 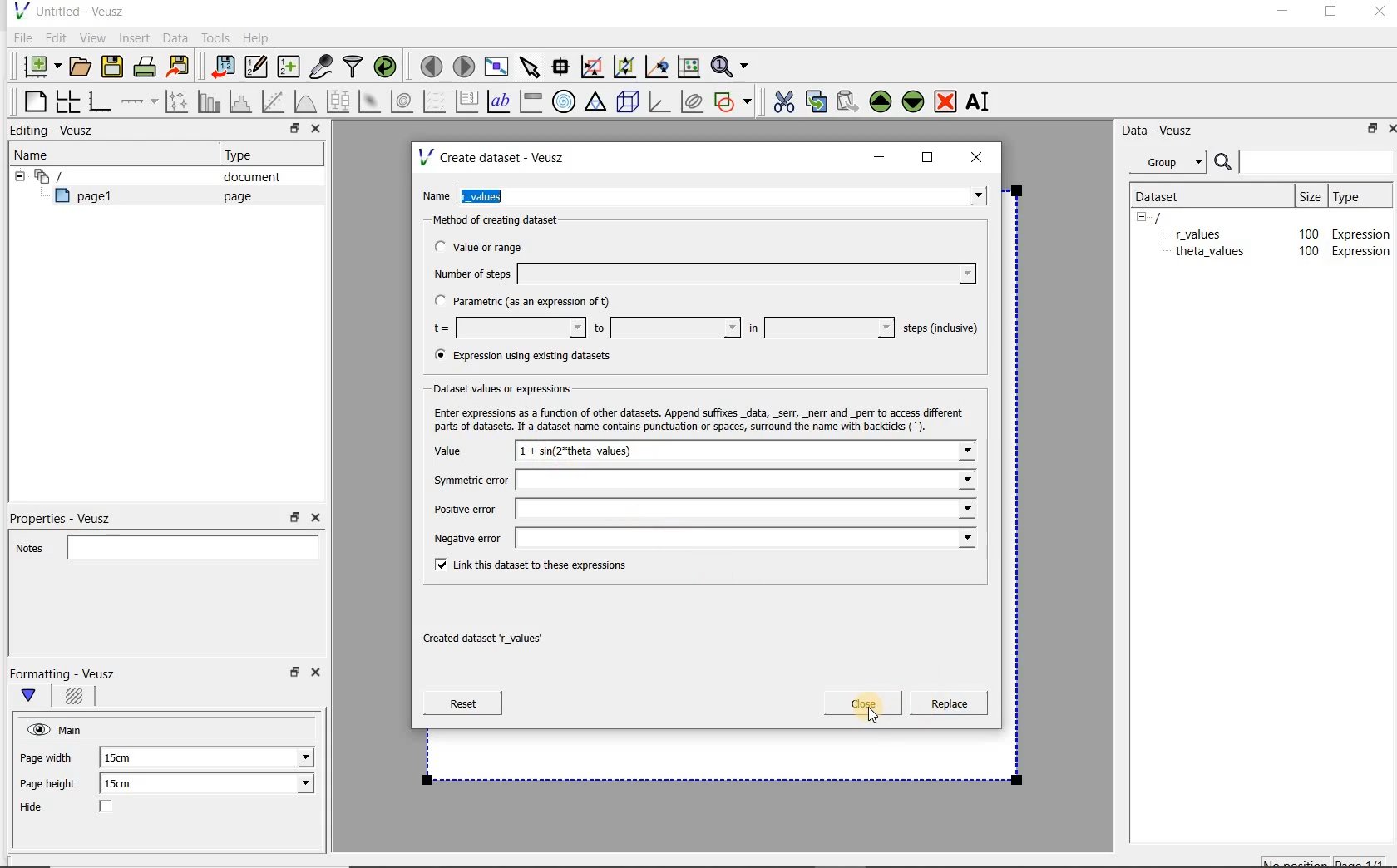 I want to click on File, so click(x=20, y=38).